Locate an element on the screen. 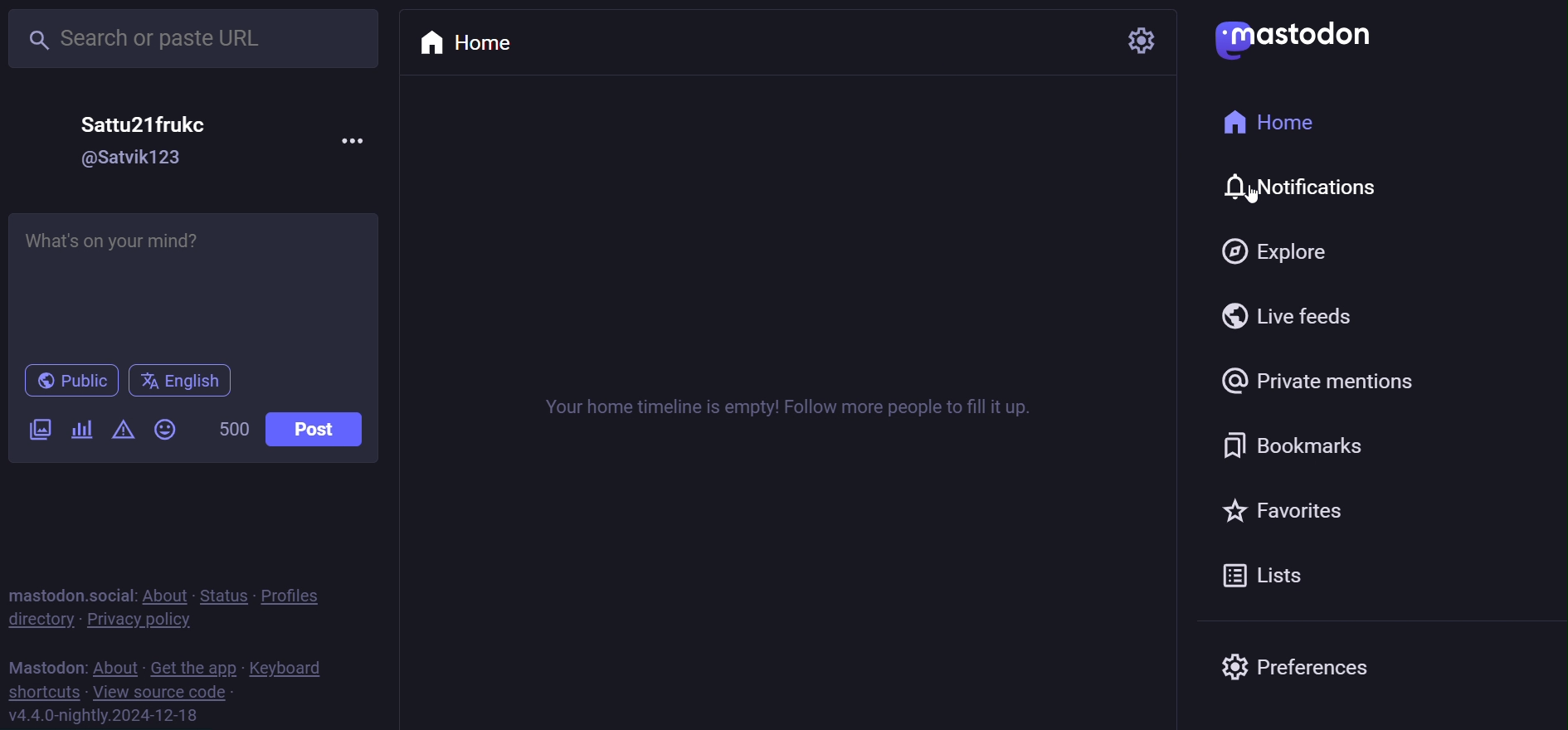 This screenshot has width=1568, height=730. view source code is located at coordinates (162, 693).